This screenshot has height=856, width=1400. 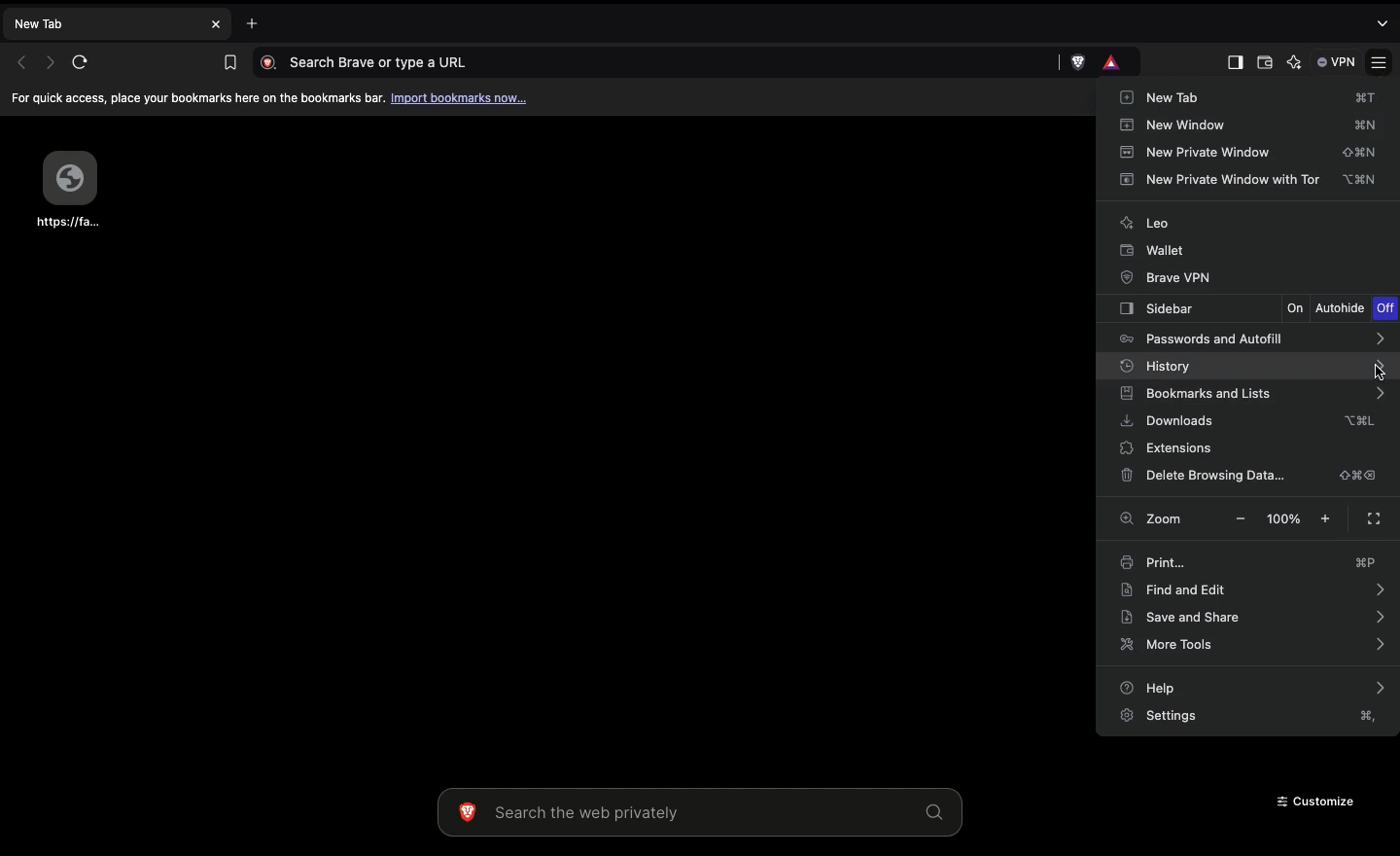 What do you see at coordinates (1252, 397) in the screenshot?
I see `Bookmarks and lists` at bounding box center [1252, 397].